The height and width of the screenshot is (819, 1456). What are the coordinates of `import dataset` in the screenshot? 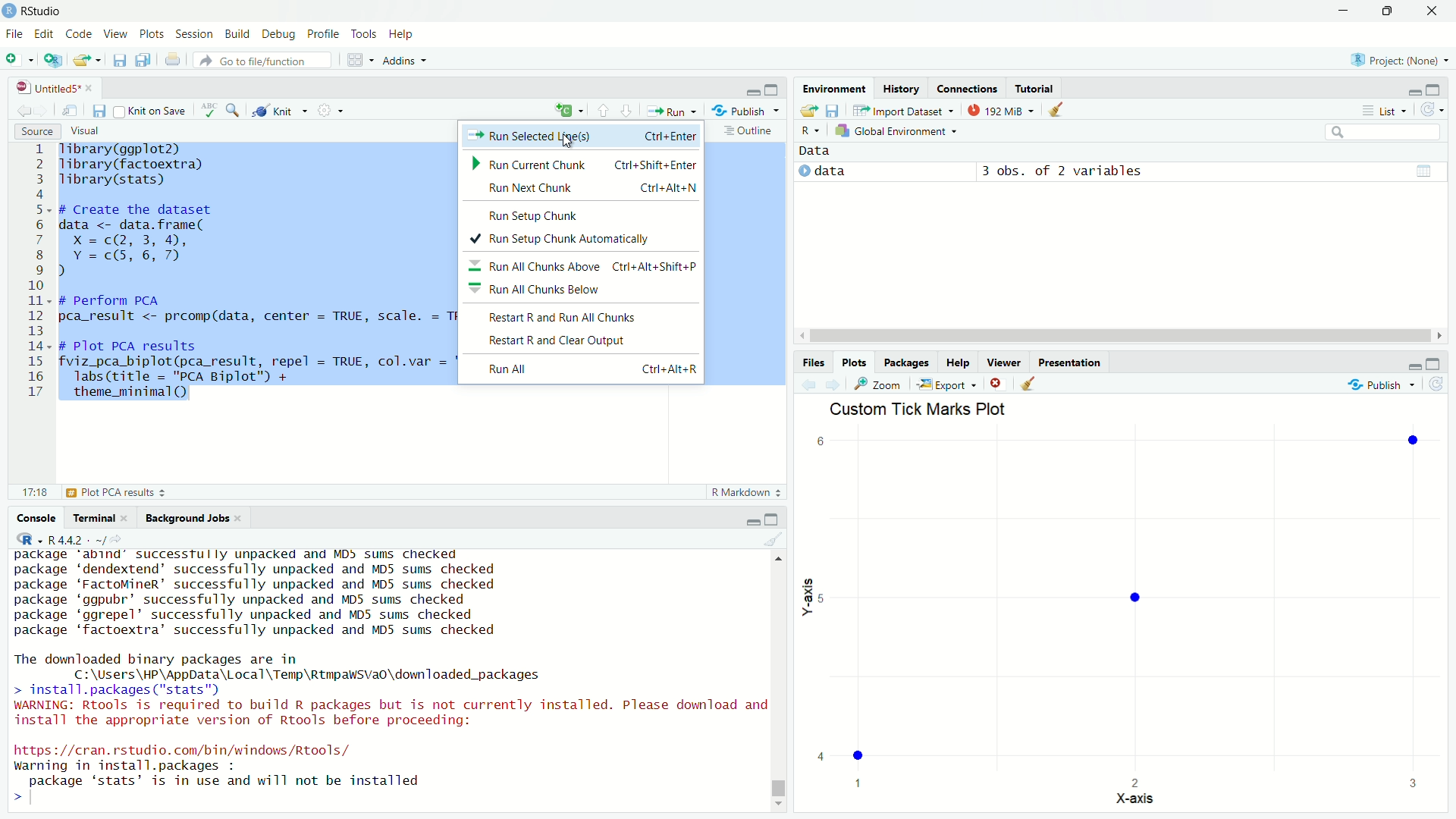 It's located at (902, 110).